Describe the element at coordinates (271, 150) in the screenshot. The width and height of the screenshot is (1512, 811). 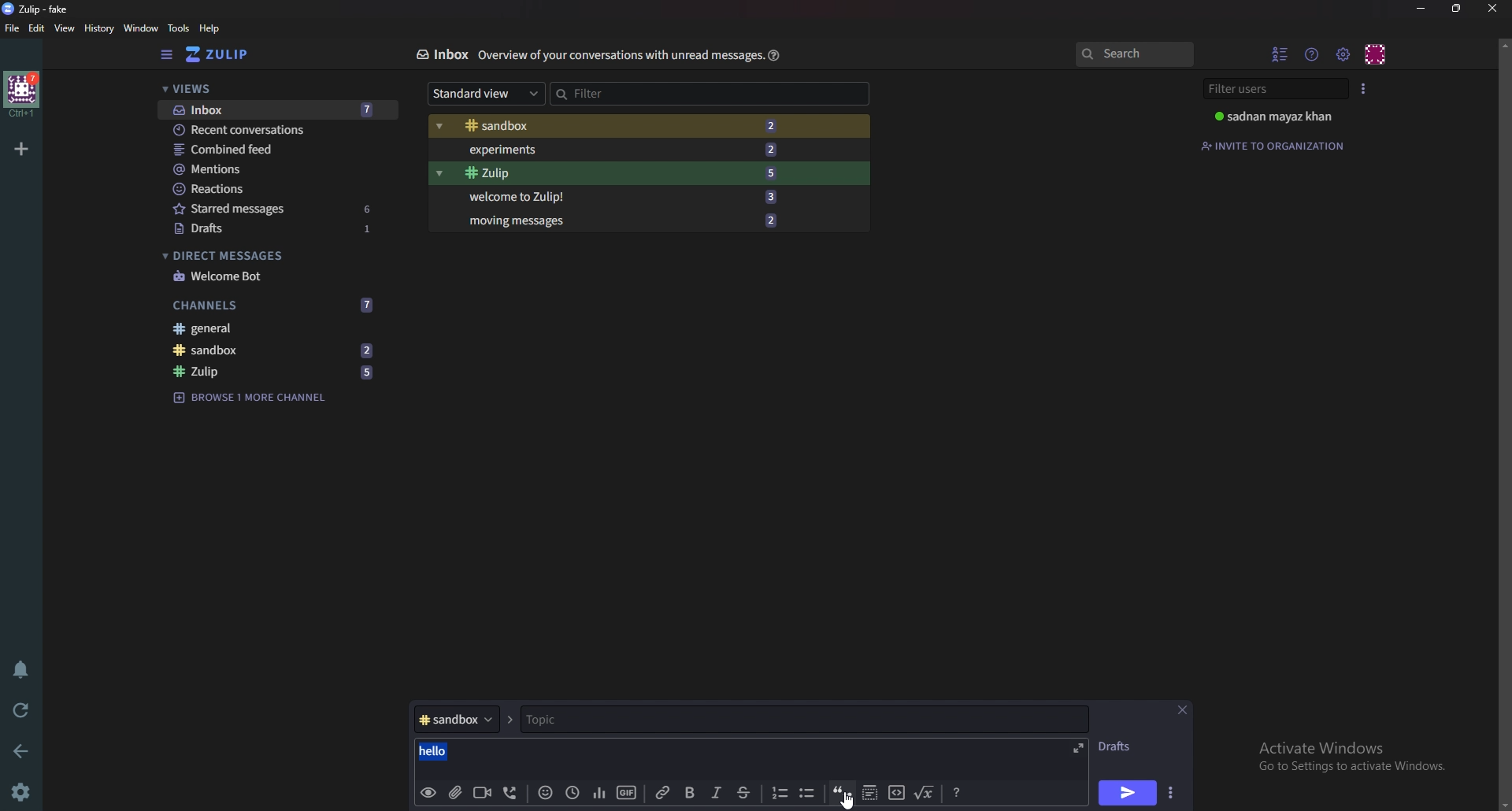
I see `Combined feed` at that location.